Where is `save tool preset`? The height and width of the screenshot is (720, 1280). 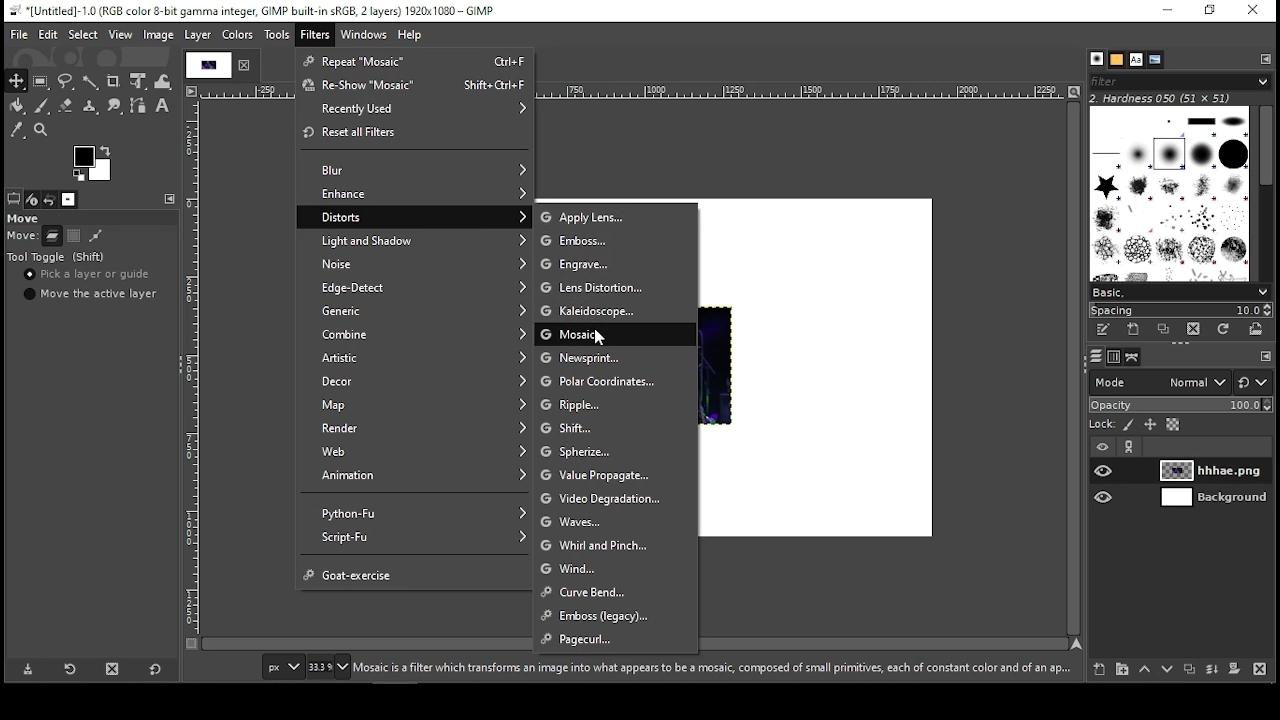 save tool preset is located at coordinates (28, 669).